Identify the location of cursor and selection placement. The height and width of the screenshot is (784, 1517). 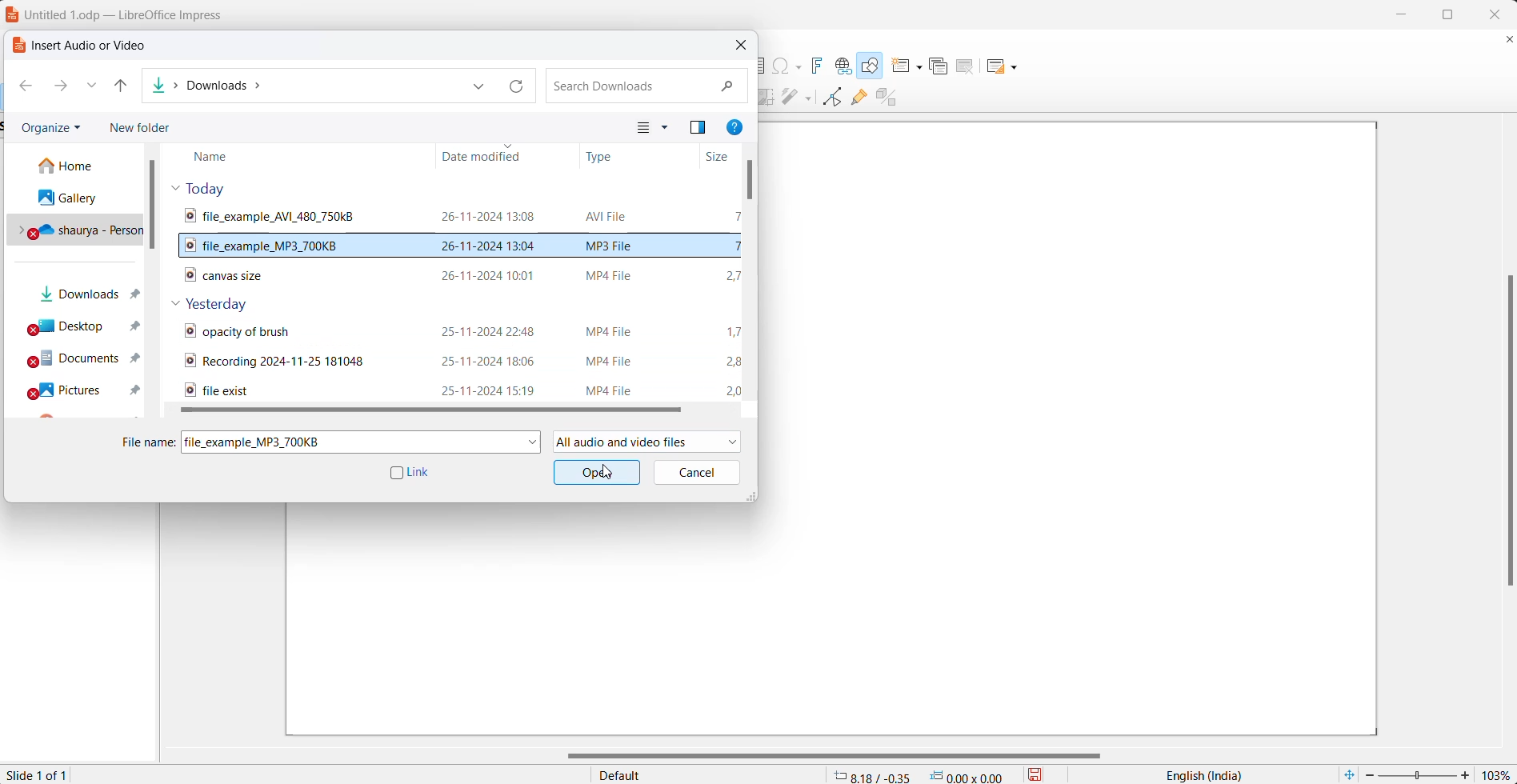
(922, 774).